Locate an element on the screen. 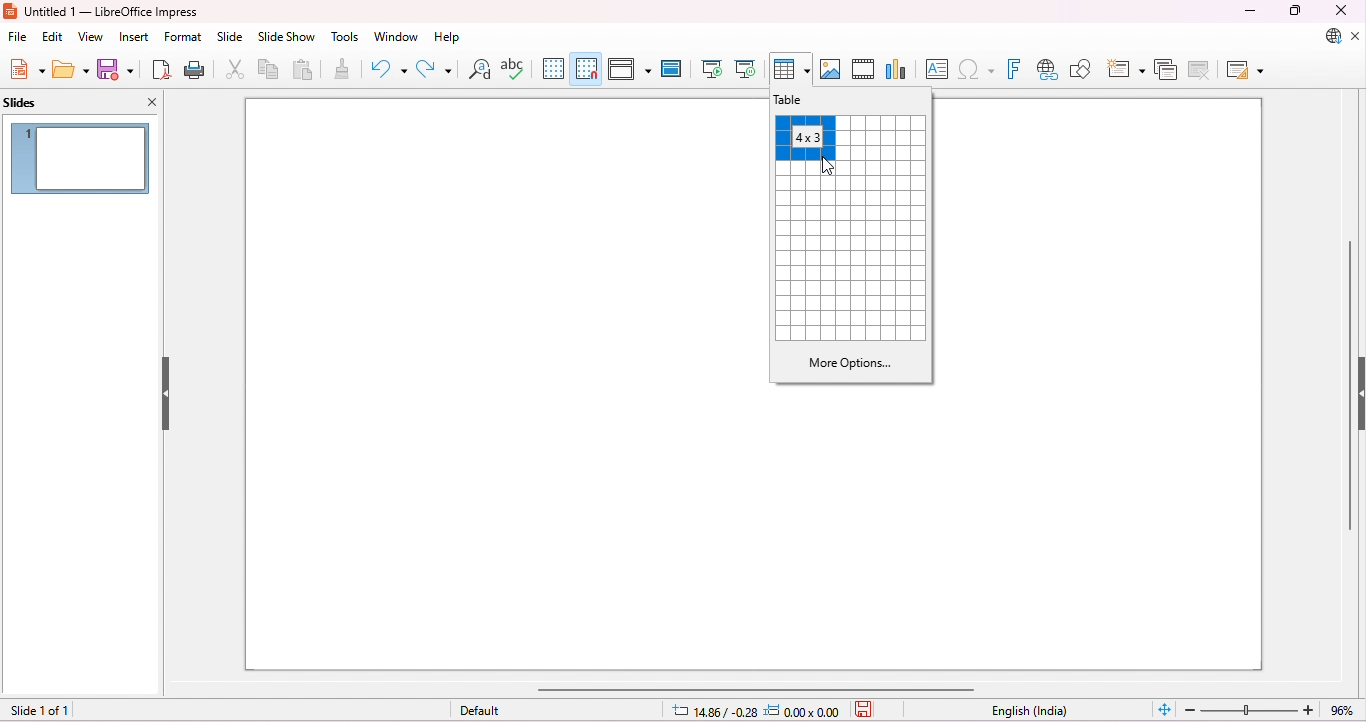  export as pdf is located at coordinates (162, 70).